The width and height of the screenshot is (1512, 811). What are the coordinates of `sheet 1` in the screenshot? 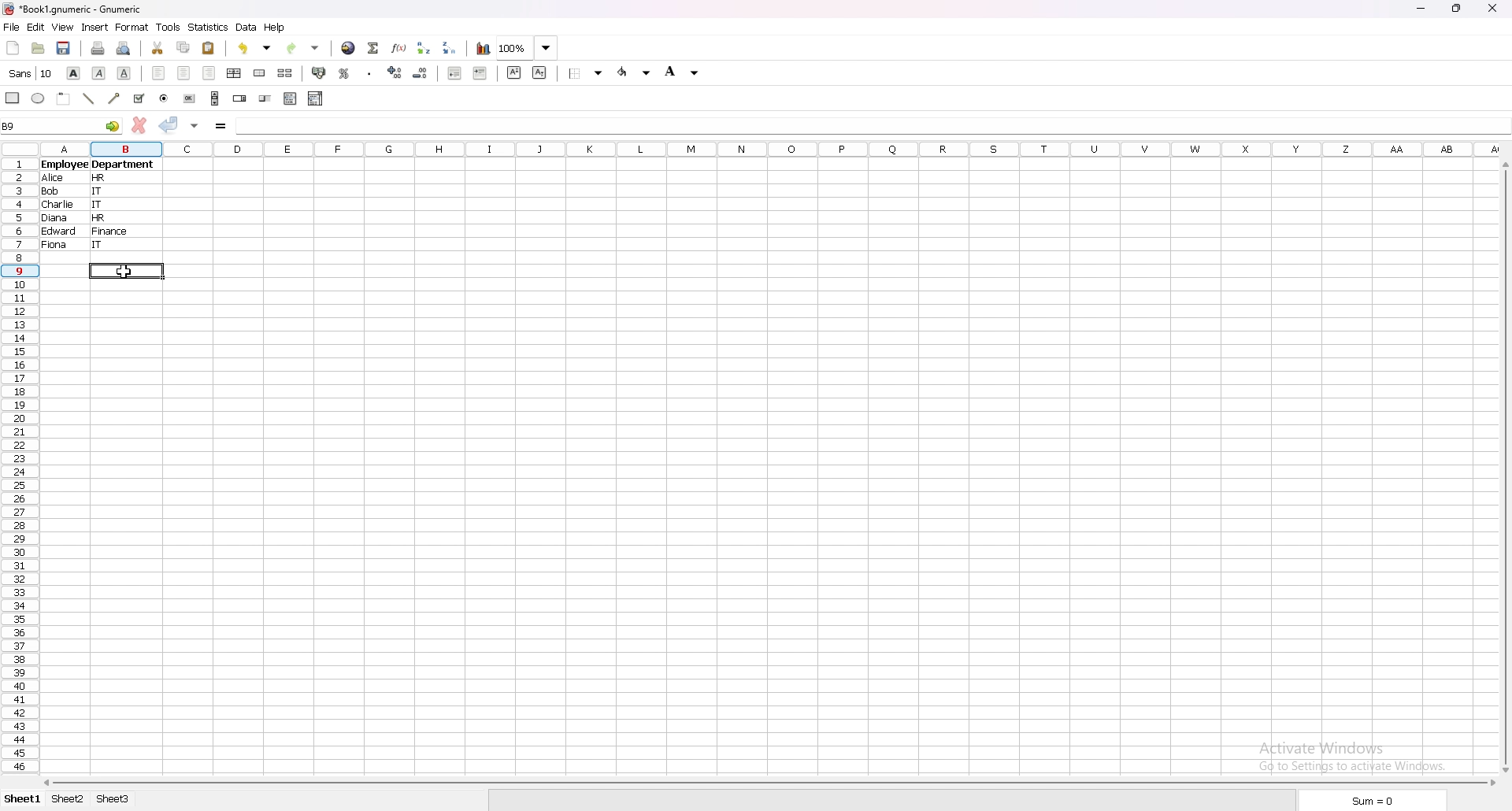 It's located at (23, 798).